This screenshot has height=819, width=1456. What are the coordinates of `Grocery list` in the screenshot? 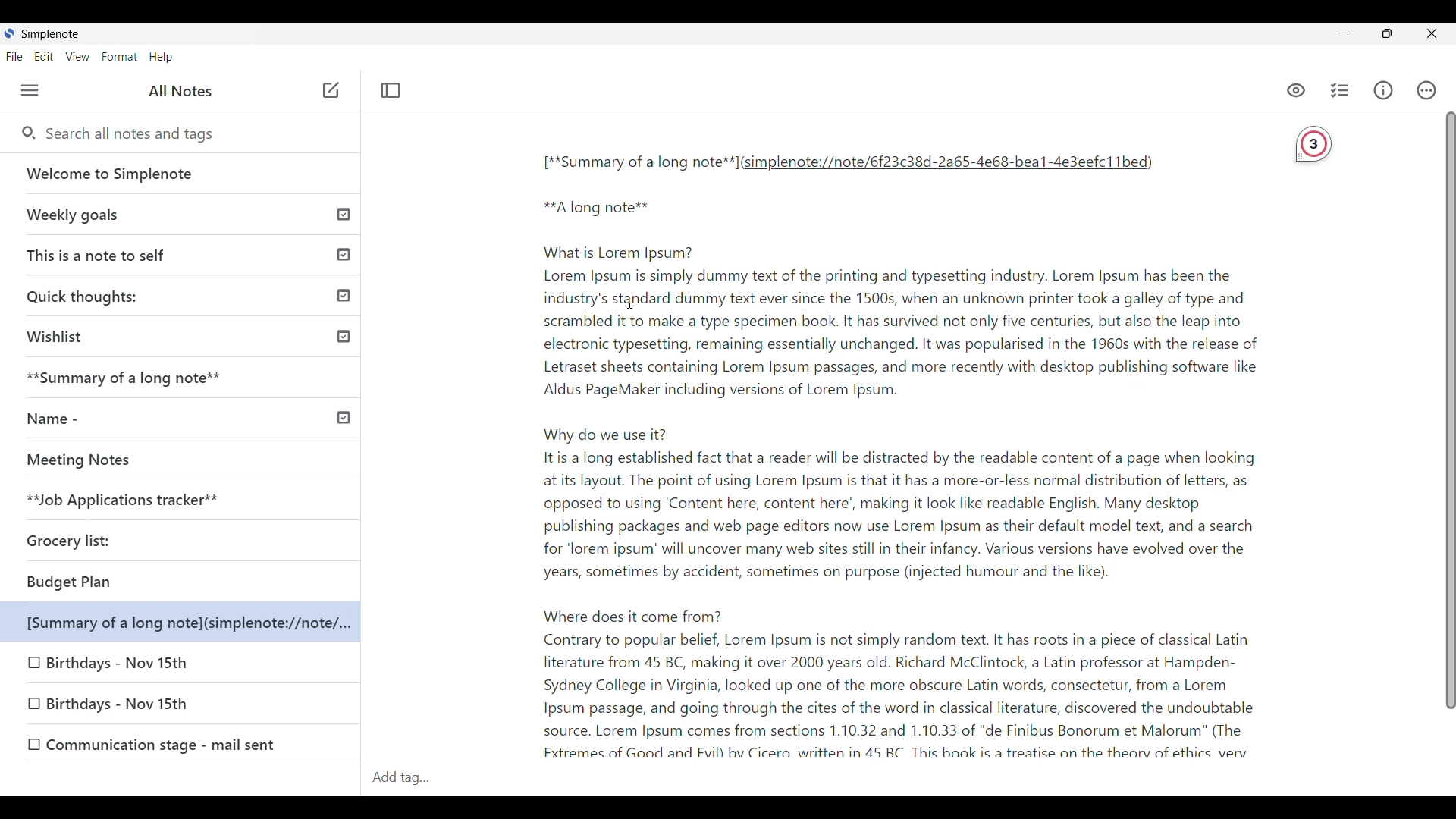 It's located at (92, 537).